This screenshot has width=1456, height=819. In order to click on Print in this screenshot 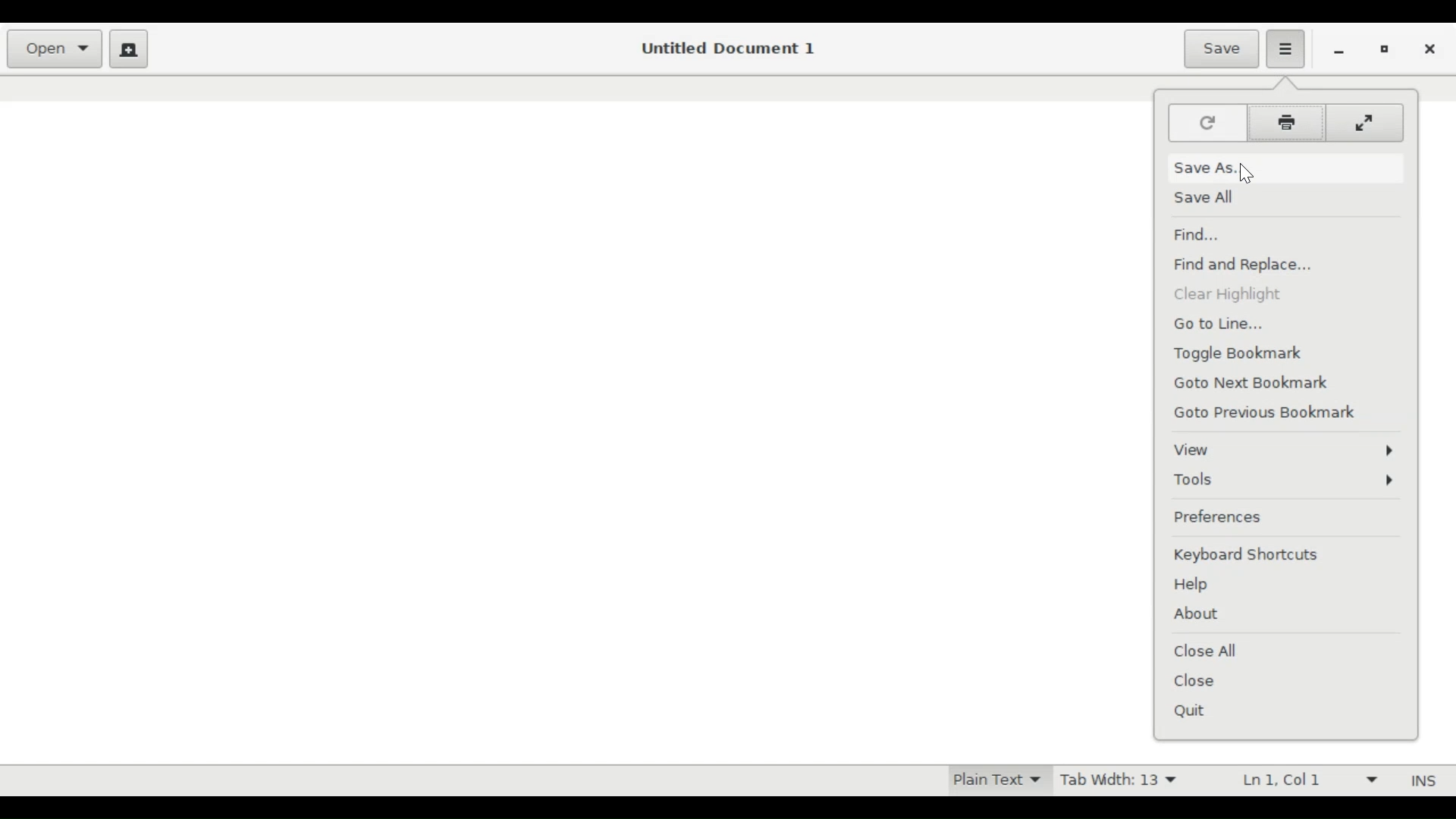, I will do `click(1286, 123)`.